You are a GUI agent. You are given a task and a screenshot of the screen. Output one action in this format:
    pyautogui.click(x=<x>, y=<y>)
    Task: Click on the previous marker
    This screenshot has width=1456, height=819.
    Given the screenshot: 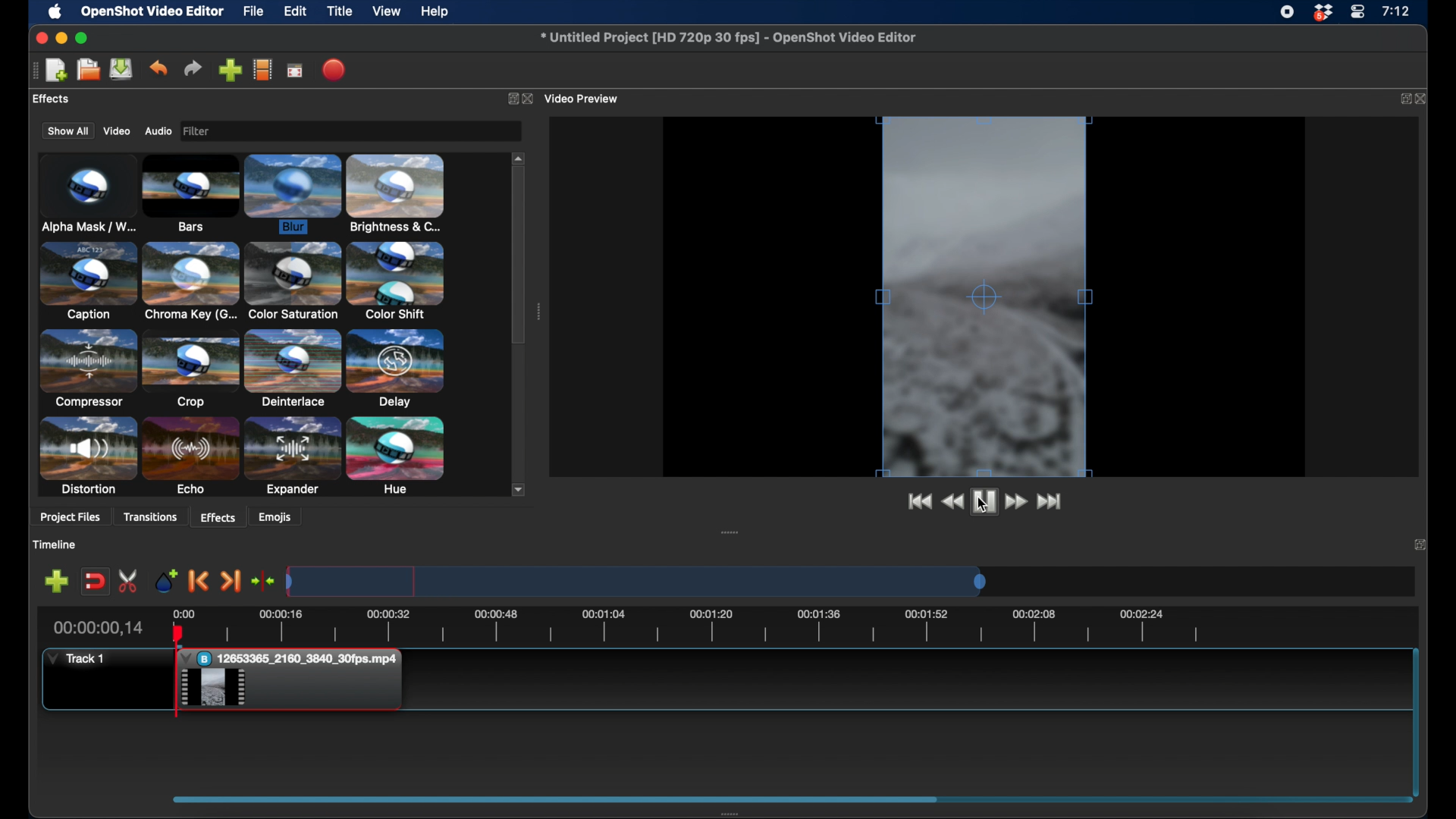 What is the action you would take?
    pyautogui.click(x=199, y=581)
    